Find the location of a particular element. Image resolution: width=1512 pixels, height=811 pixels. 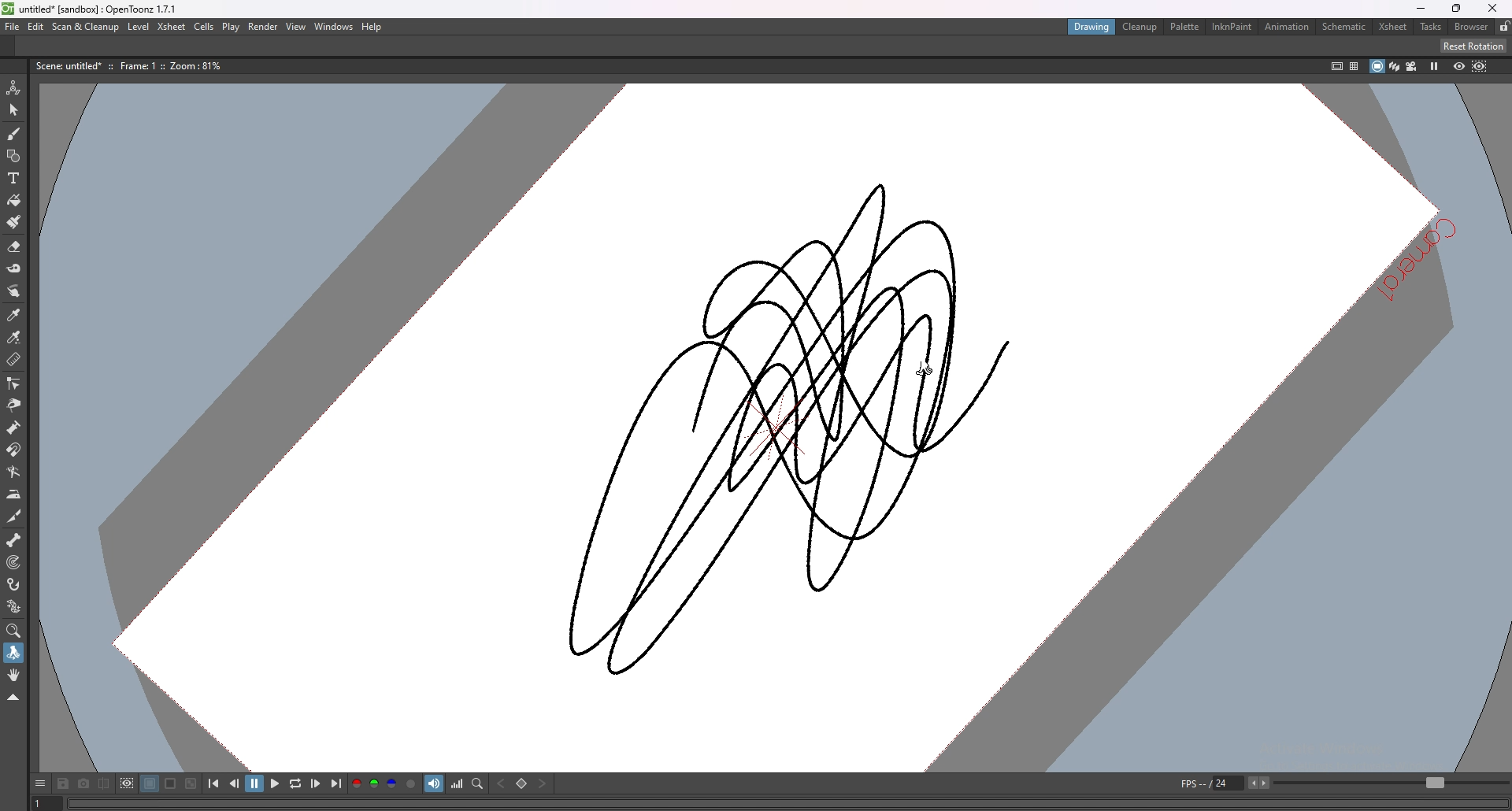

animation is located at coordinates (1288, 27).